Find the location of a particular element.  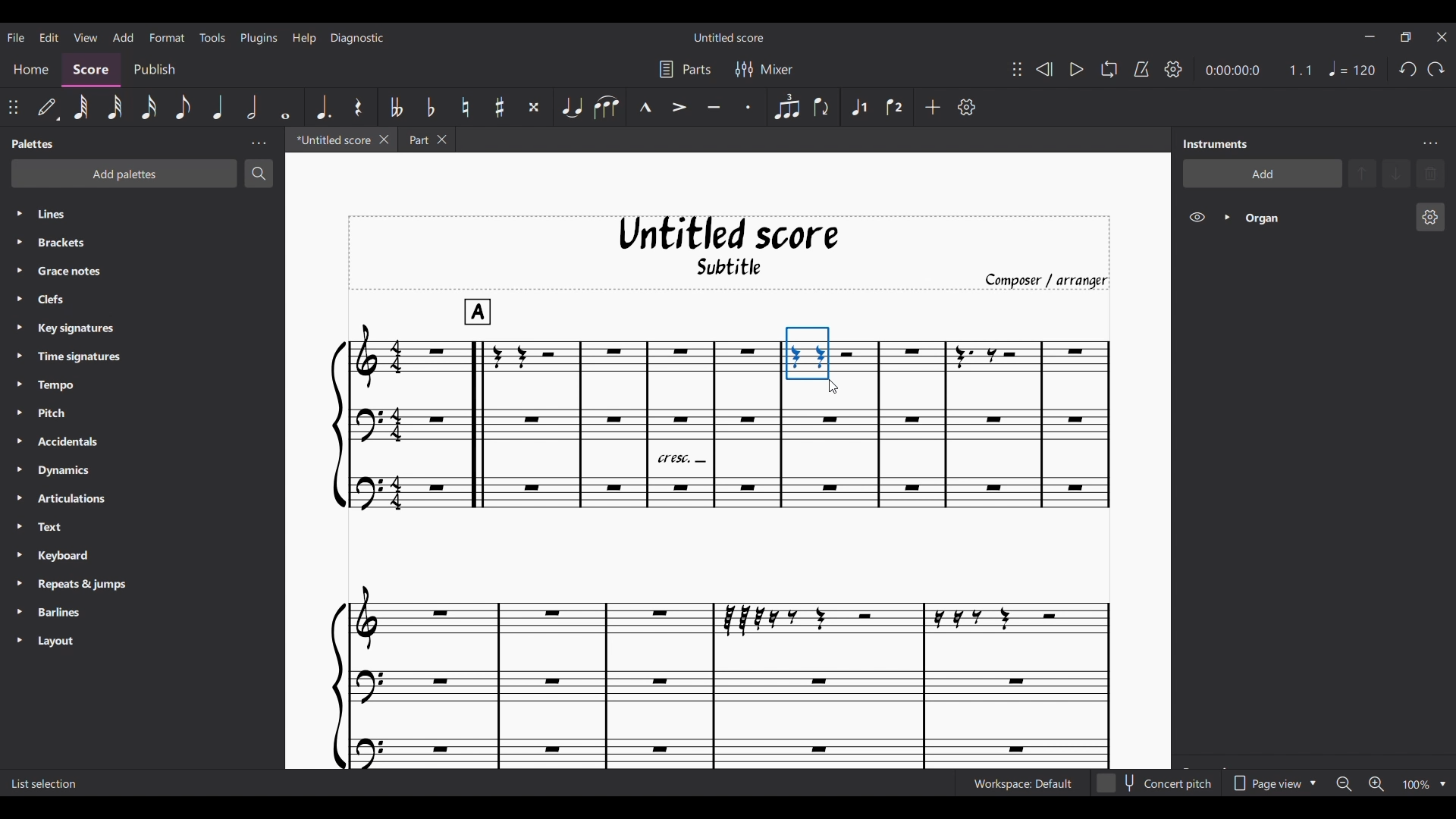

Mixer settings is located at coordinates (765, 70).